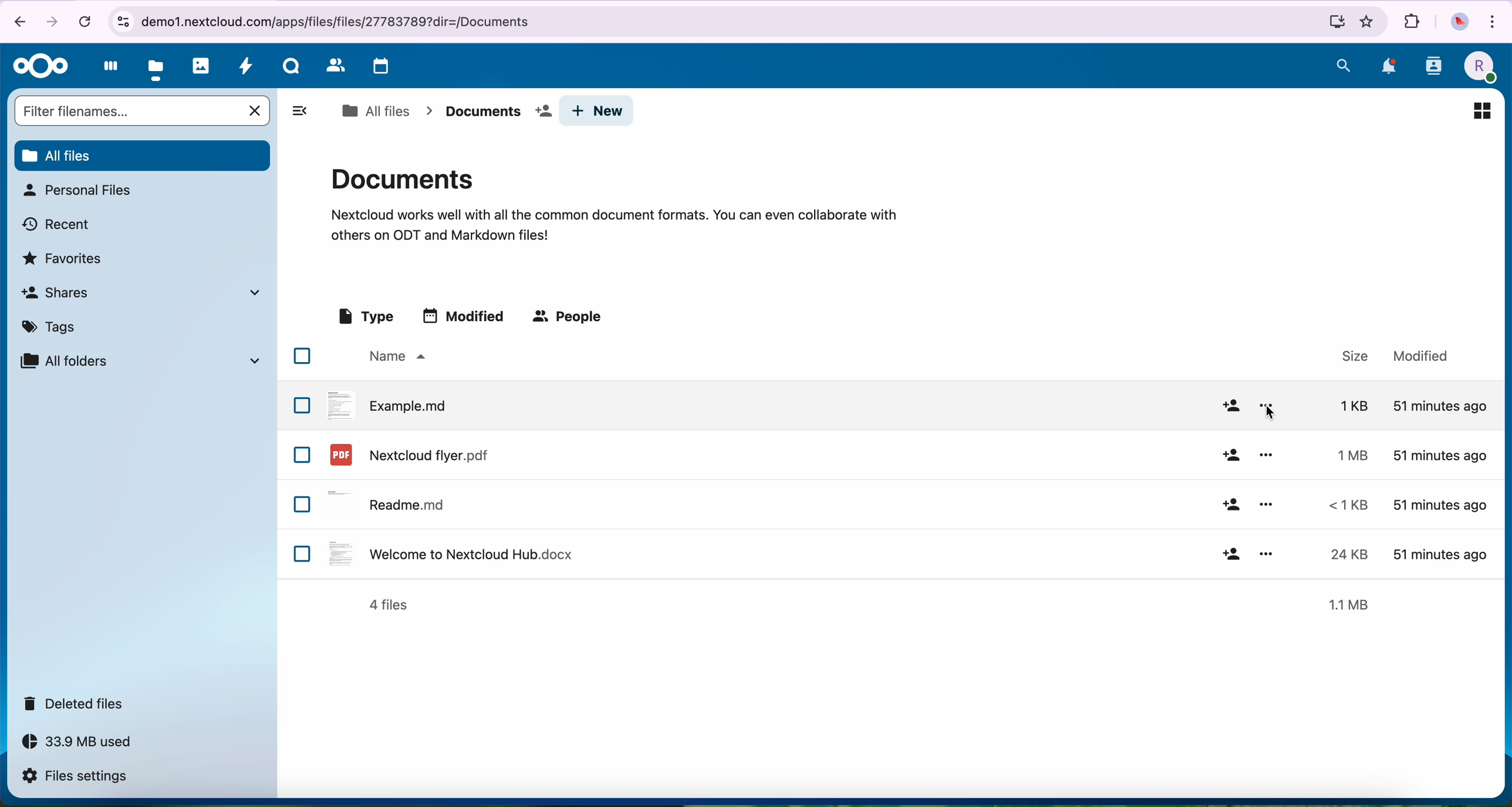 Image resolution: width=1512 pixels, height=807 pixels. I want to click on all files, so click(375, 111).